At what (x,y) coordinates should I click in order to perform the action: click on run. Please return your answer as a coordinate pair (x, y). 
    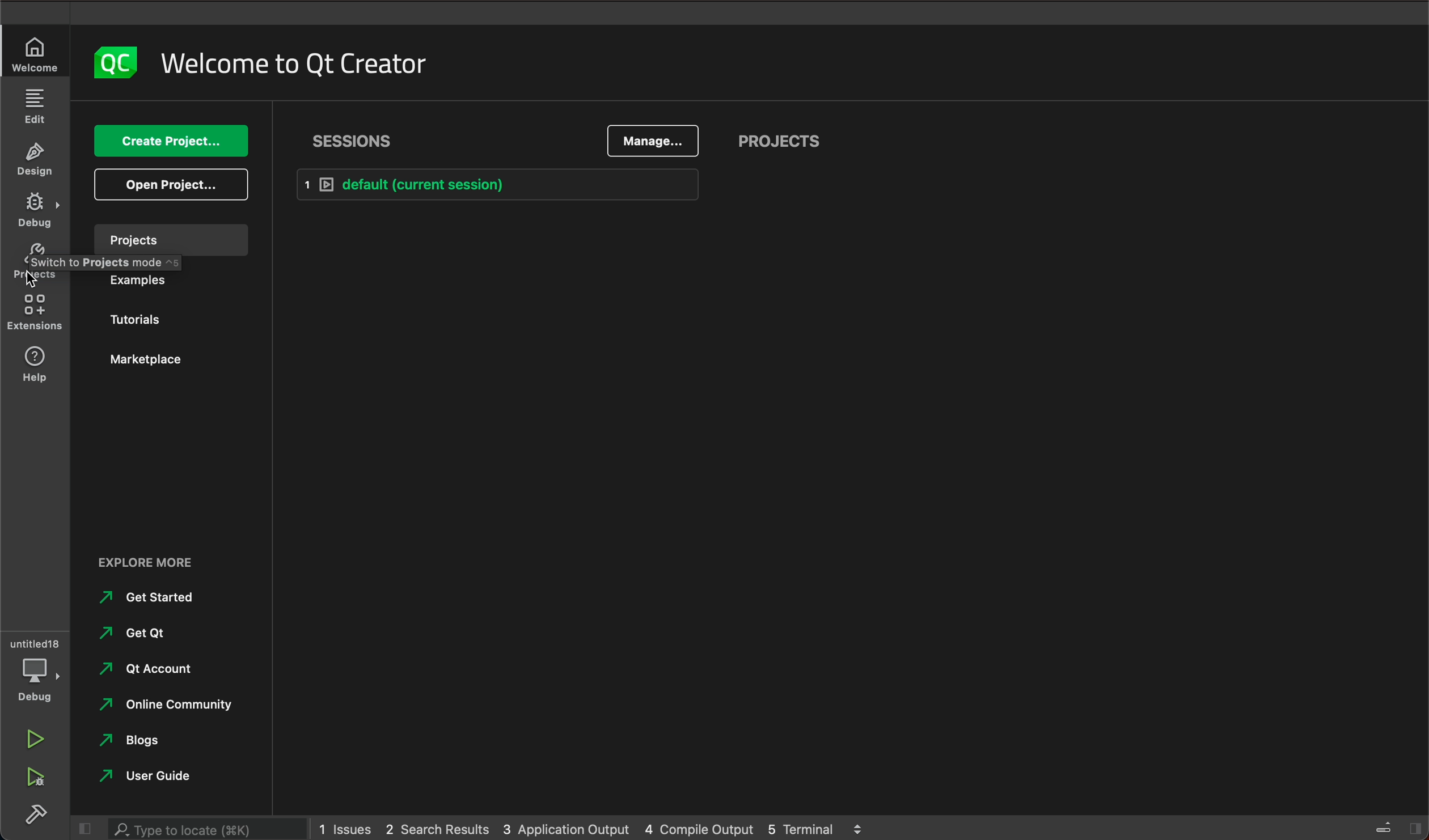
    Looking at the image, I should click on (35, 738).